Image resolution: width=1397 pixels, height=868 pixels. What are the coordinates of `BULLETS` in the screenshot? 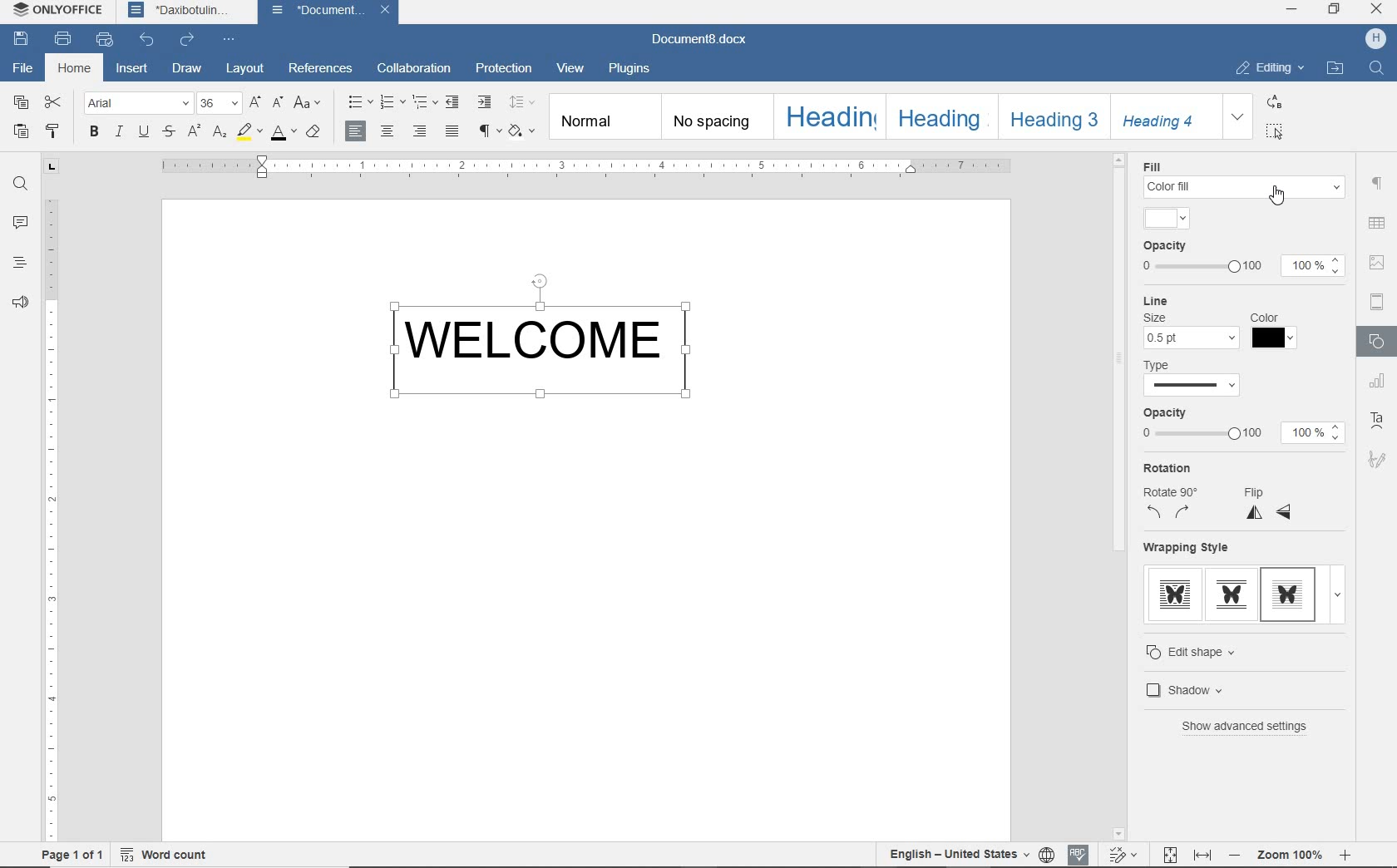 It's located at (358, 101).